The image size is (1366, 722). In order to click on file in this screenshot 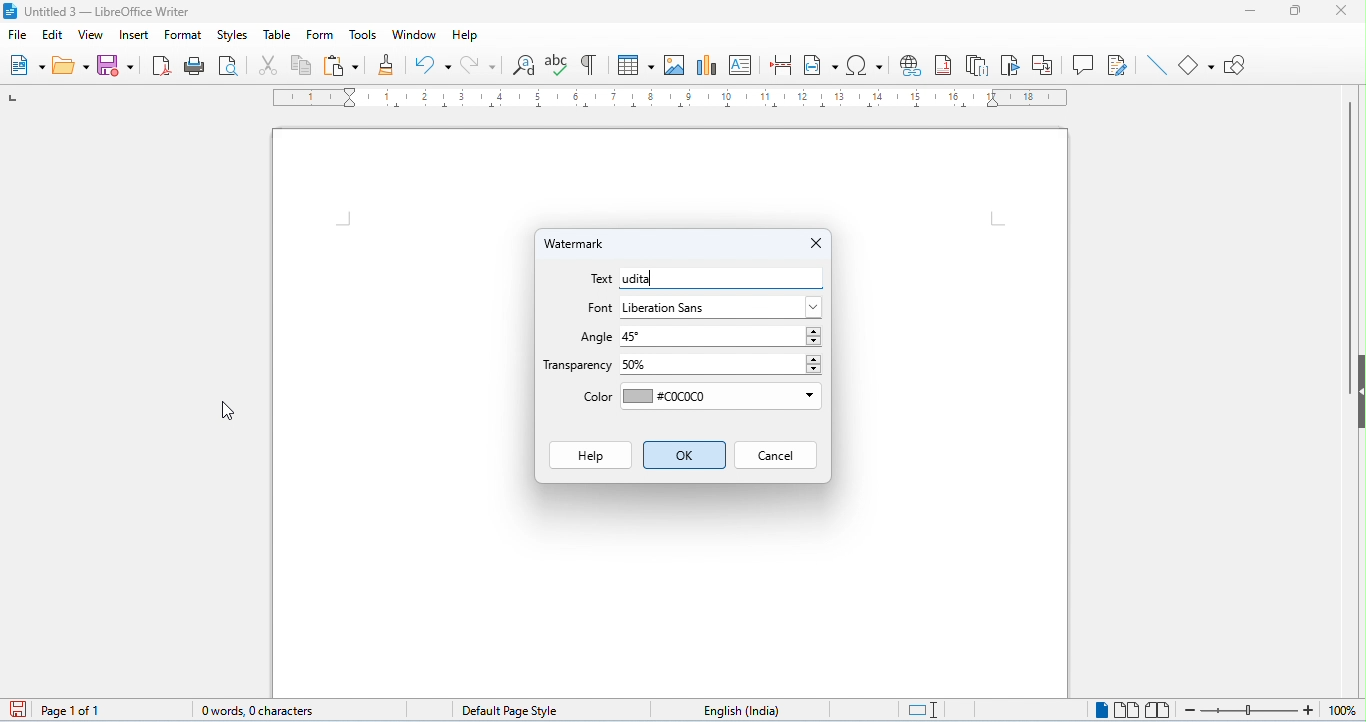, I will do `click(18, 37)`.